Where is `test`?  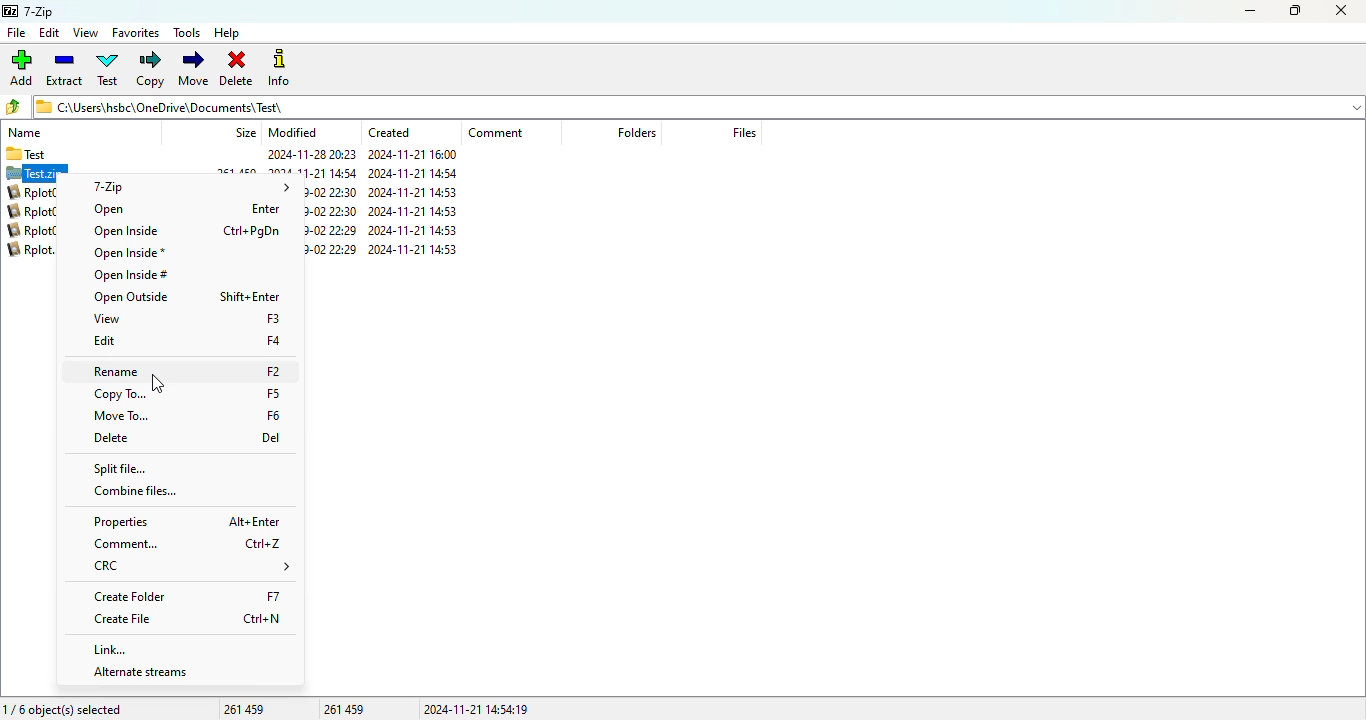
test is located at coordinates (108, 69).